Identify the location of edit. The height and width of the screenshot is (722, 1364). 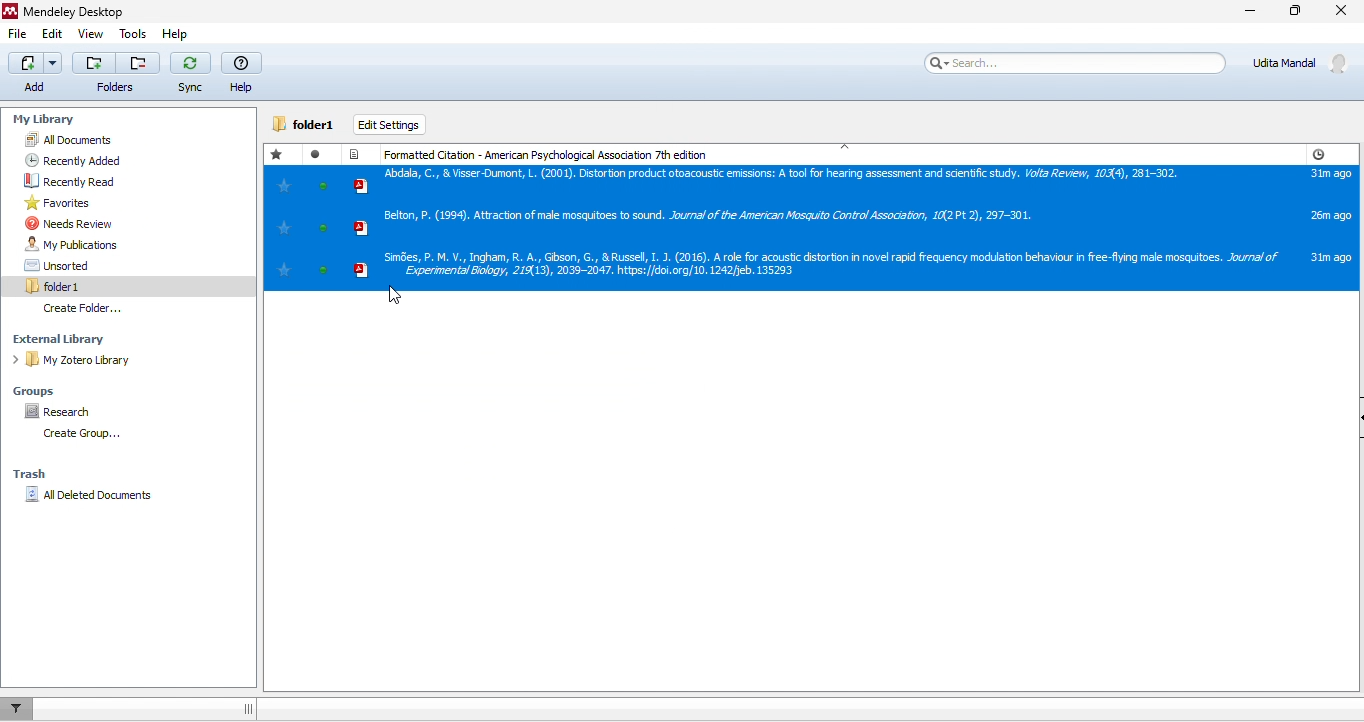
(51, 34).